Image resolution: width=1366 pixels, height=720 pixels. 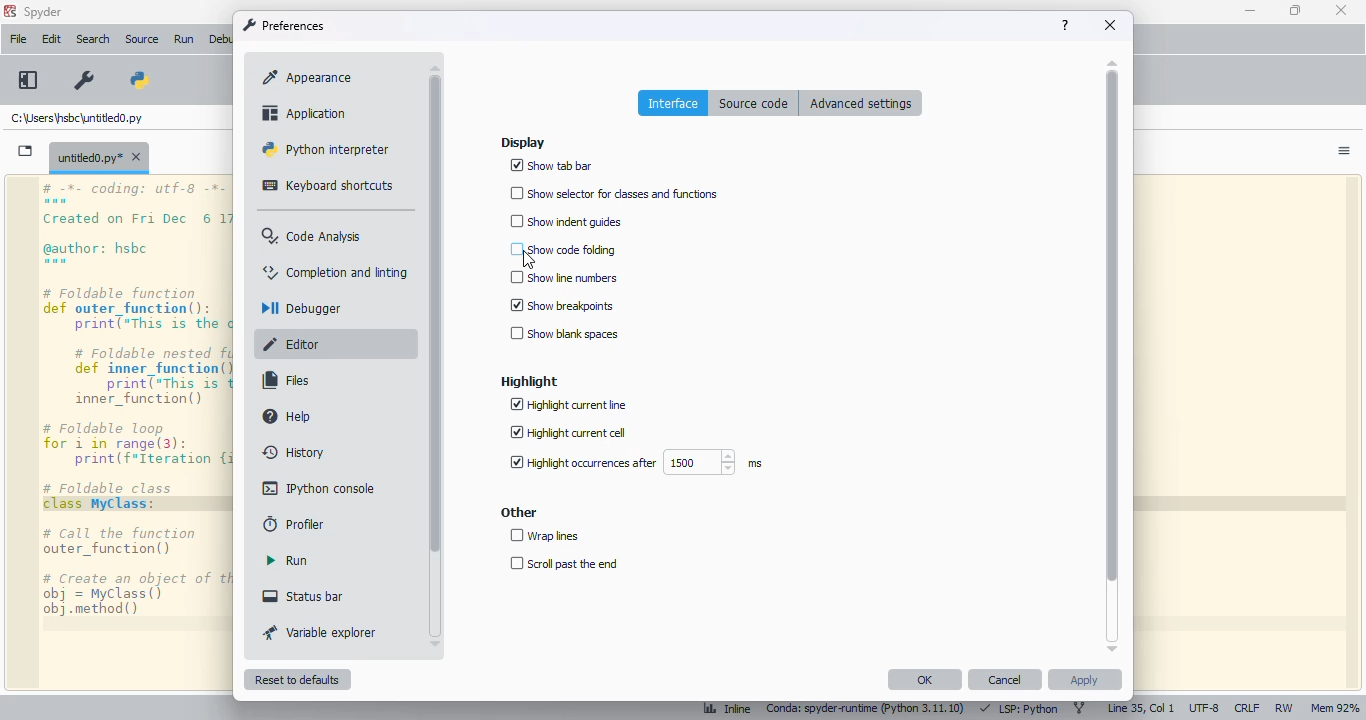 I want to click on variable explorer, so click(x=321, y=632).